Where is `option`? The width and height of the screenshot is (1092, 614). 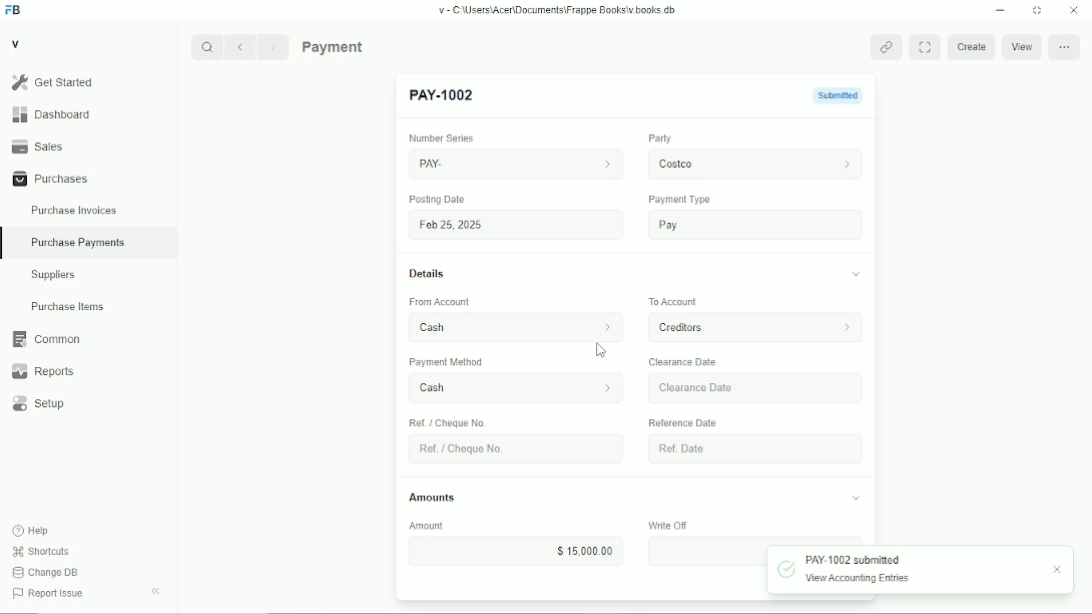
option is located at coordinates (1066, 48).